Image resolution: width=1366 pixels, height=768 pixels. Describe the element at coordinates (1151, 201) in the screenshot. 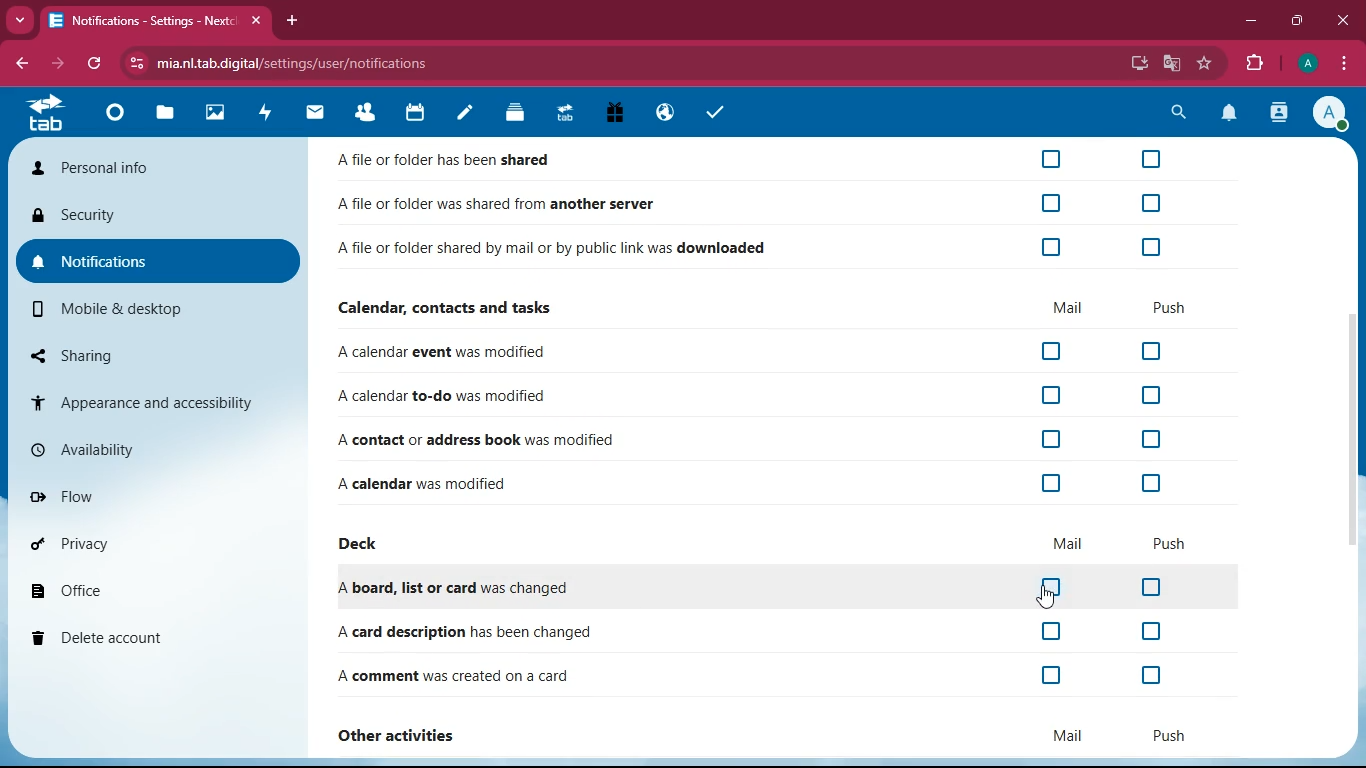

I see `off` at that location.